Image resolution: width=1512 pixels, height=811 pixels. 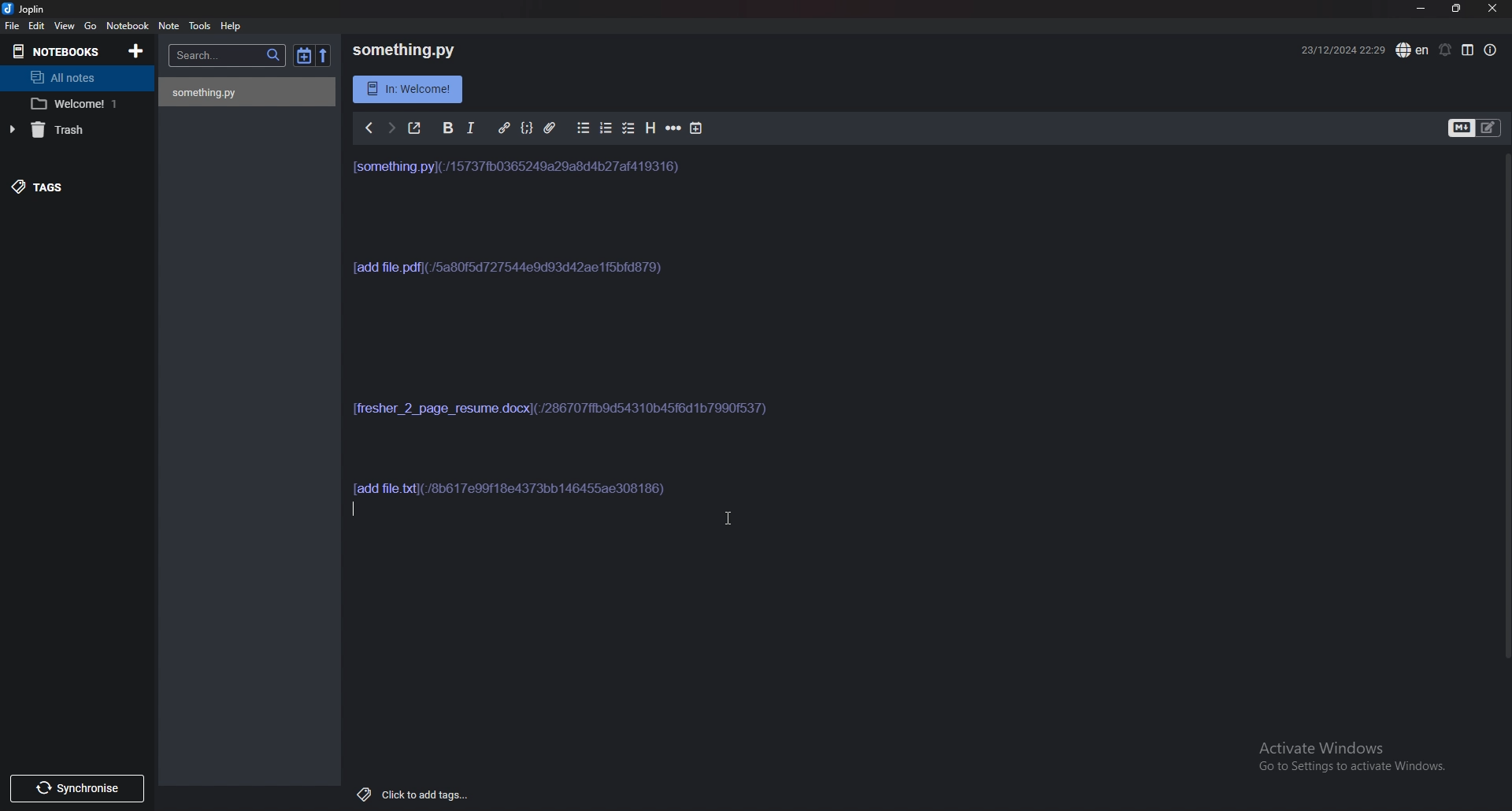 I want to click on cursor, so click(x=725, y=517).